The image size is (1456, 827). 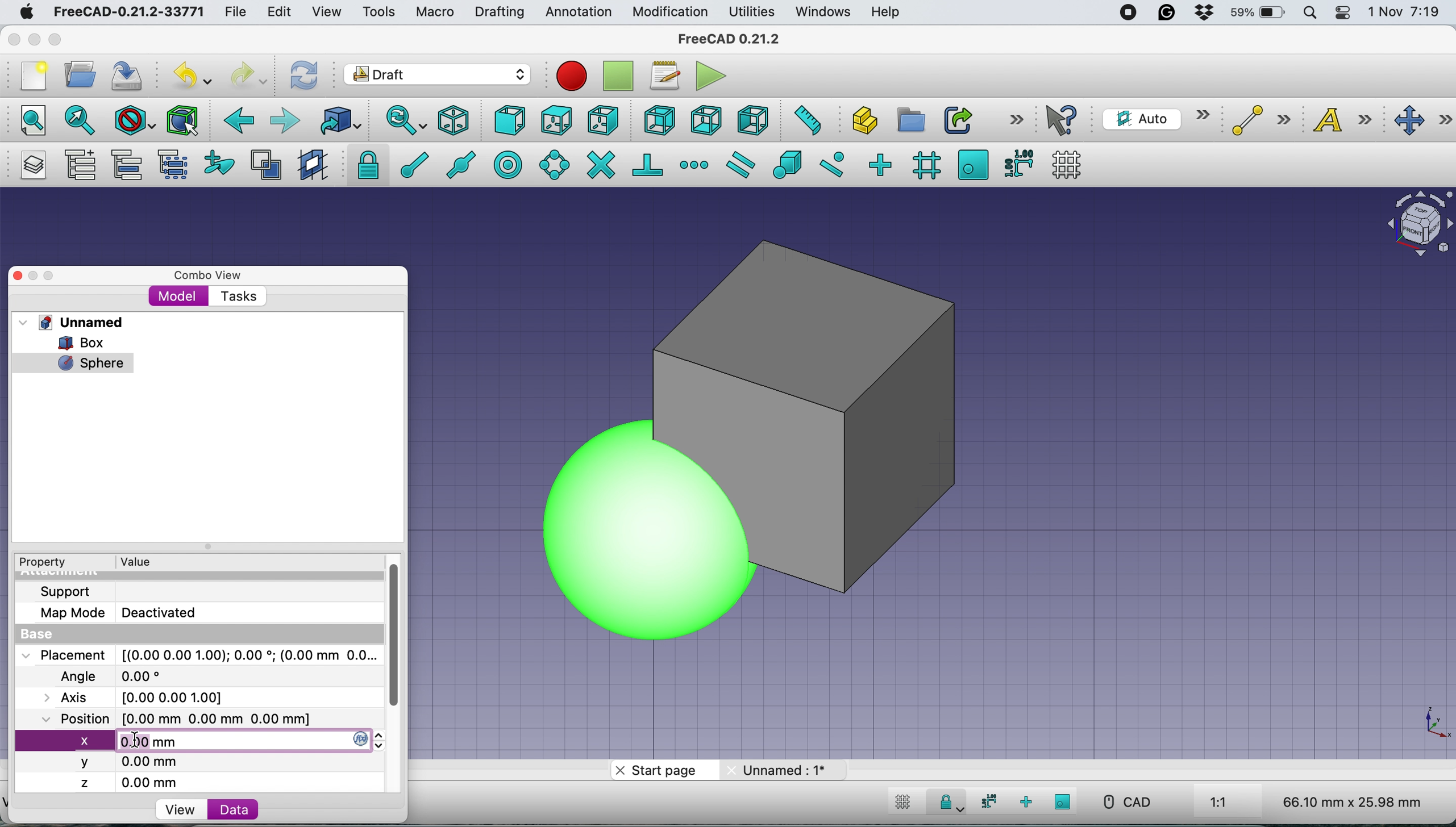 What do you see at coordinates (661, 772) in the screenshot?
I see `start page` at bounding box center [661, 772].